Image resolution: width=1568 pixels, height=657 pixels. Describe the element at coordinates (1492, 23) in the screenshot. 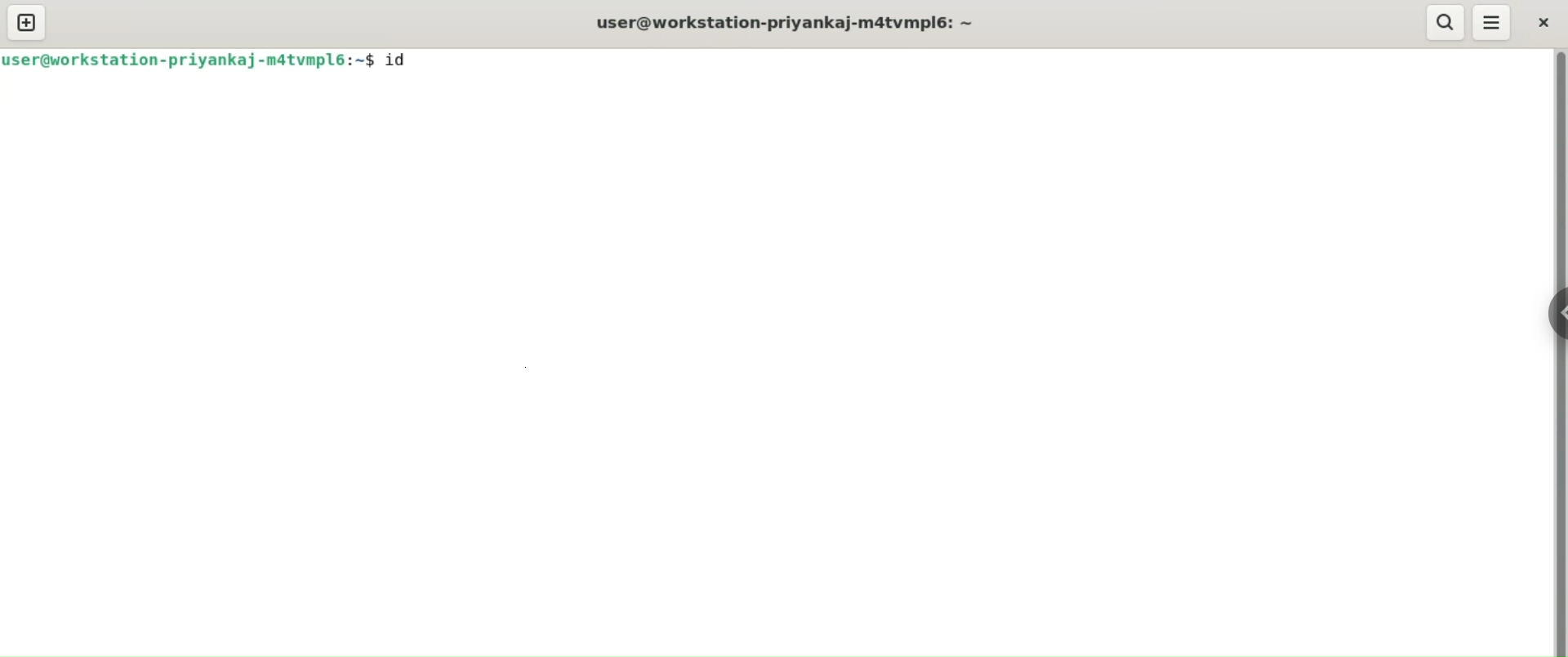

I see `menu` at that location.